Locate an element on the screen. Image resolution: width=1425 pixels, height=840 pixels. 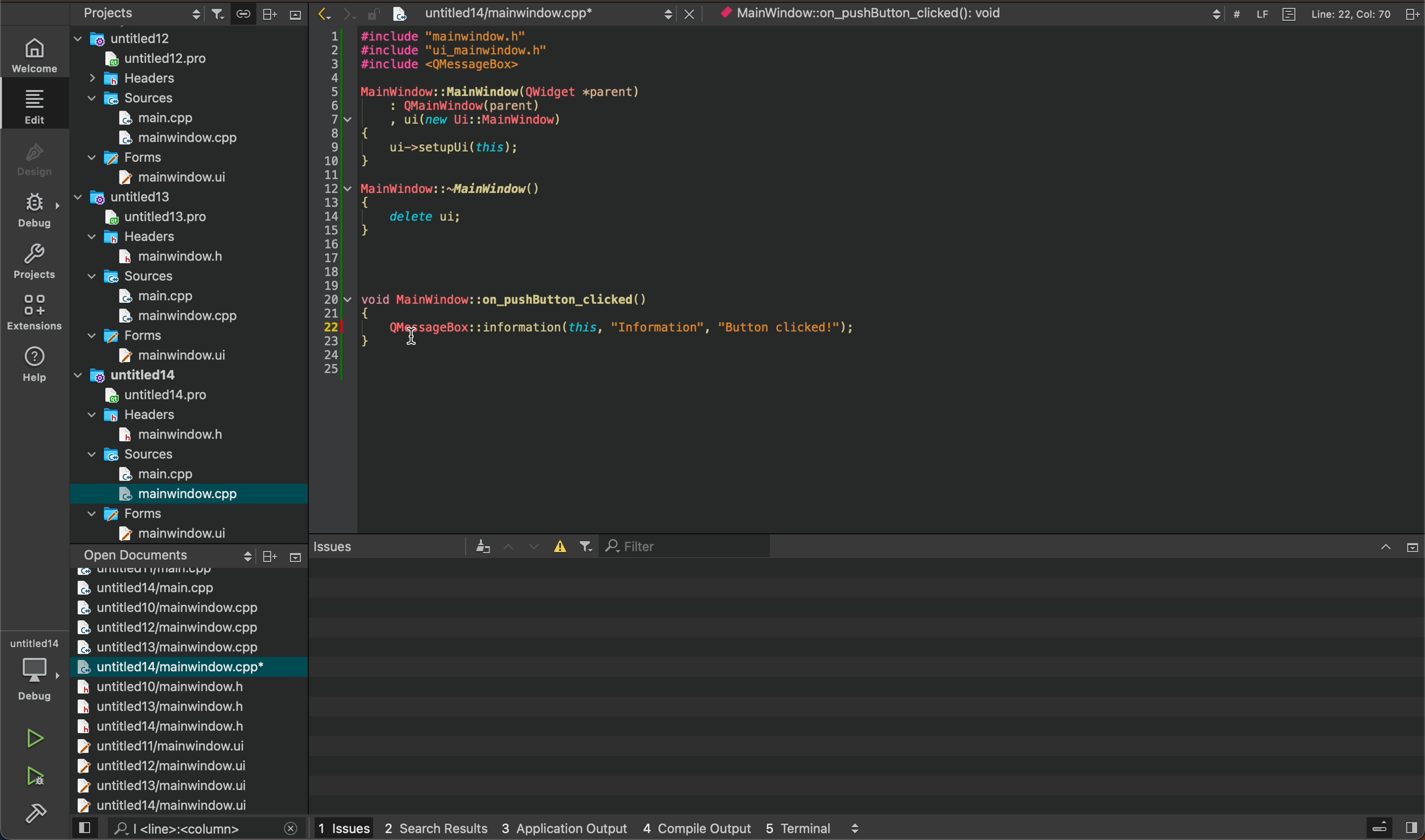
search is located at coordinates (188, 829).